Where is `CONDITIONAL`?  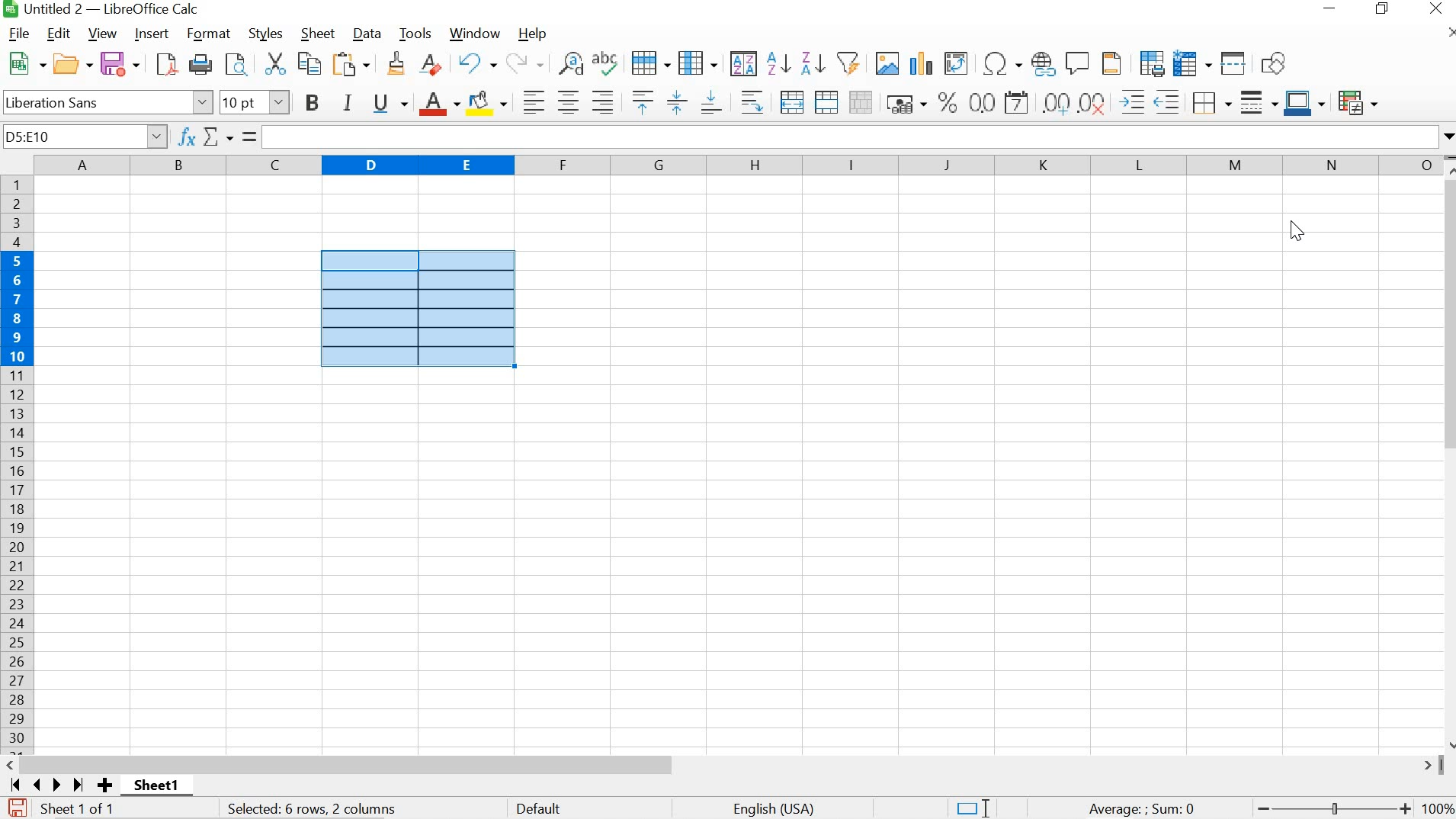 CONDITIONAL is located at coordinates (1357, 101).